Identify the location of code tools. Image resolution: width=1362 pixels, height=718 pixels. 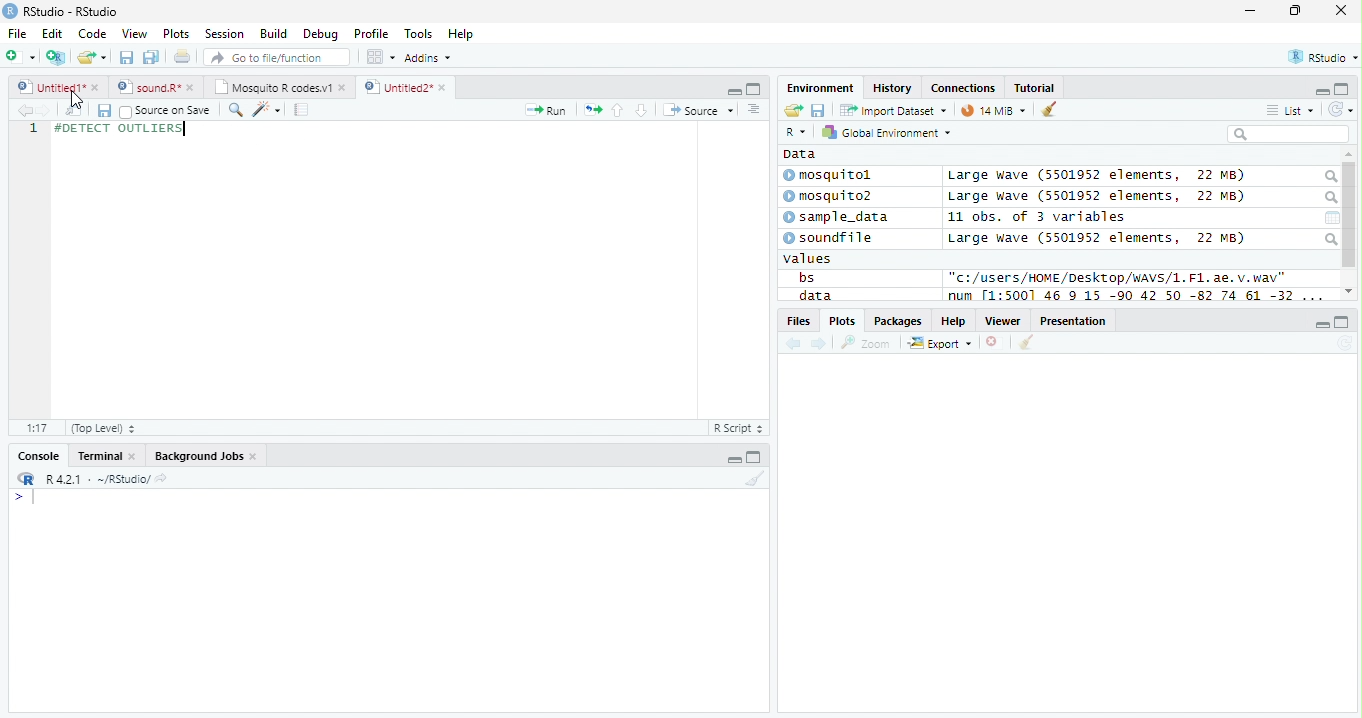
(267, 110).